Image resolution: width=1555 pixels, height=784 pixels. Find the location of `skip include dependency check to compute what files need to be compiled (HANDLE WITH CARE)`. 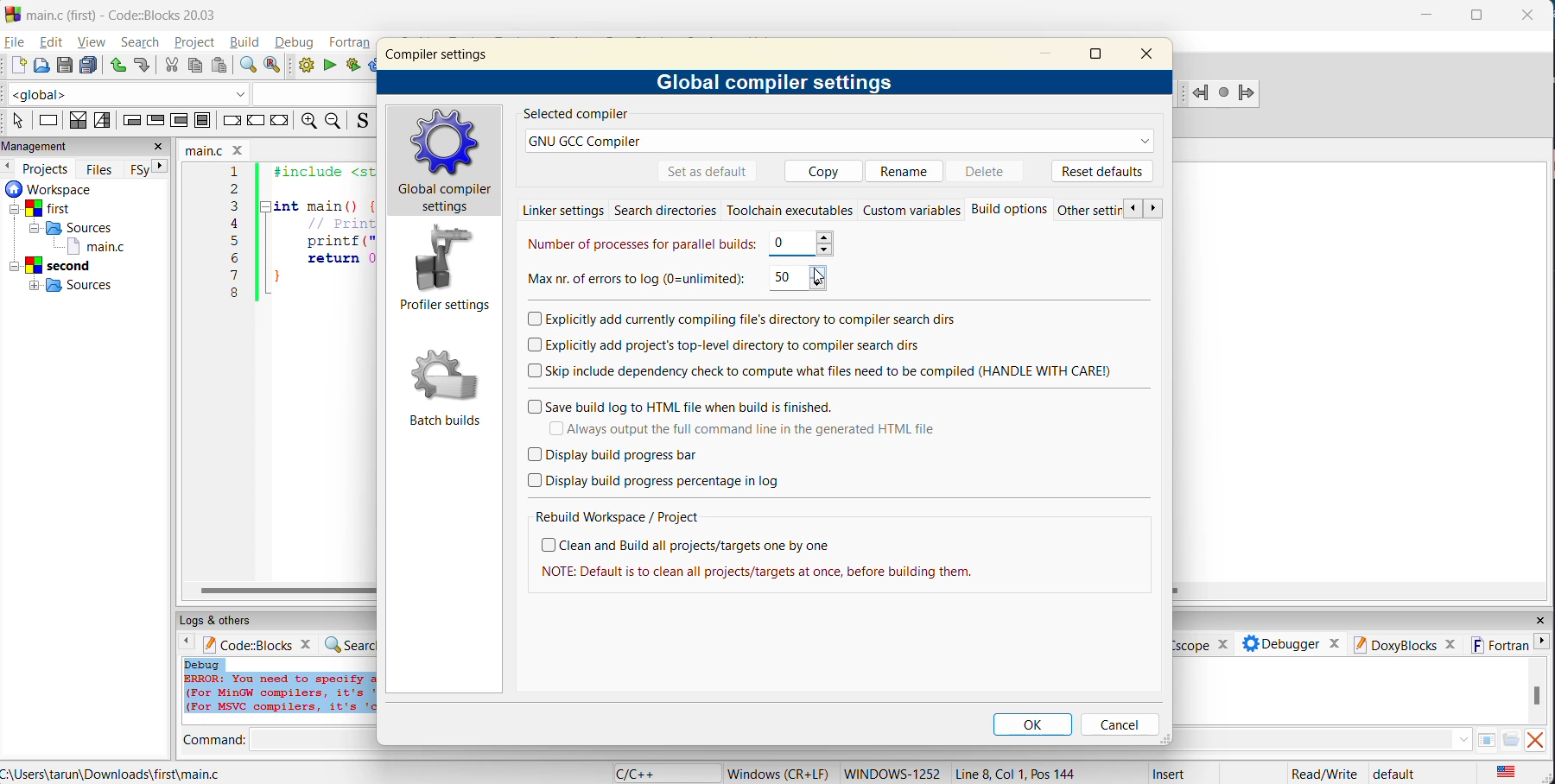

skip include dependency check to compute what files need to be compiled (HANDLE WITH CARE) is located at coordinates (835, 372).